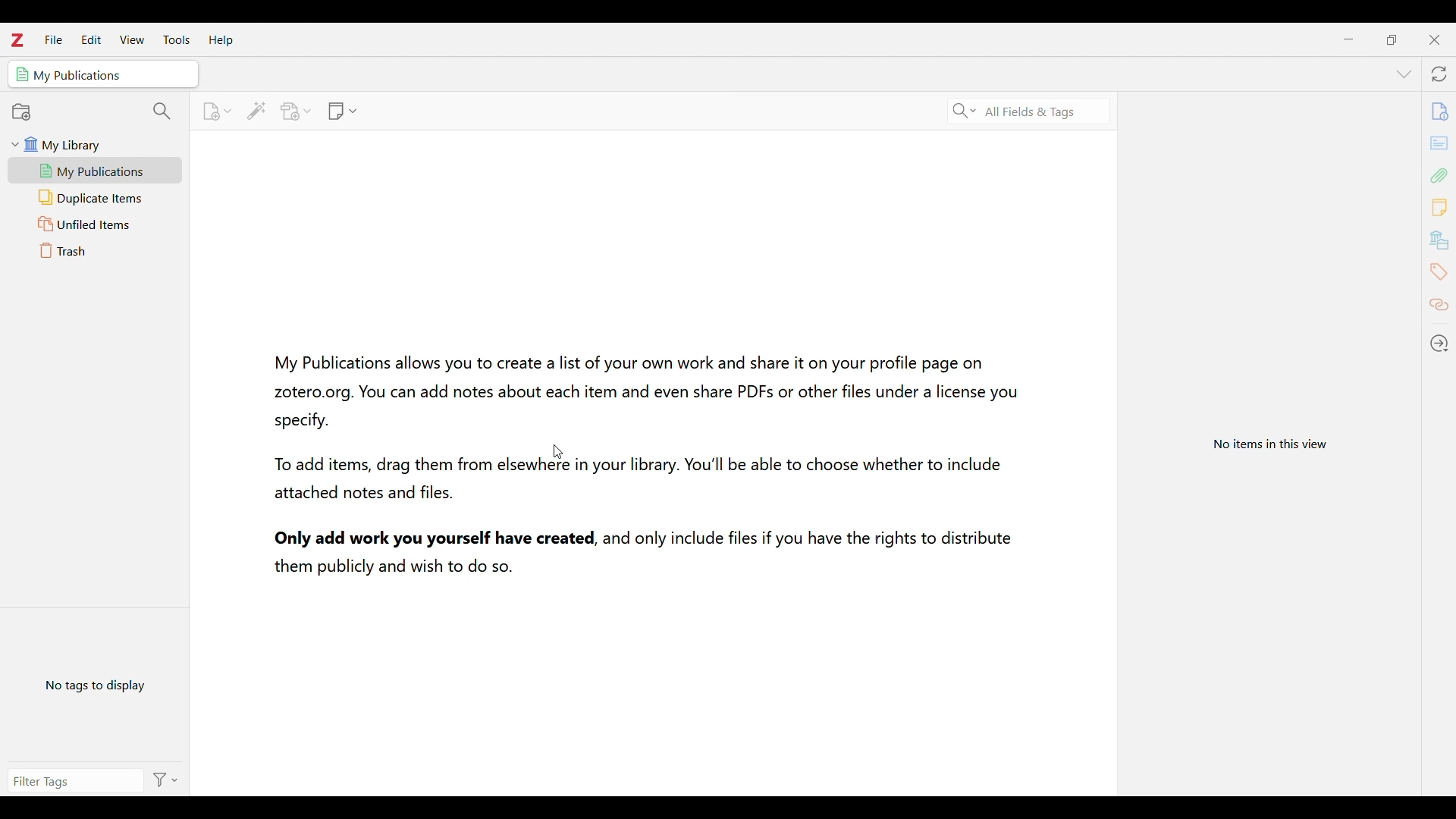  Describe the element at coordinates (96, 224) in the screenshot. I see `Unified items` at that location.